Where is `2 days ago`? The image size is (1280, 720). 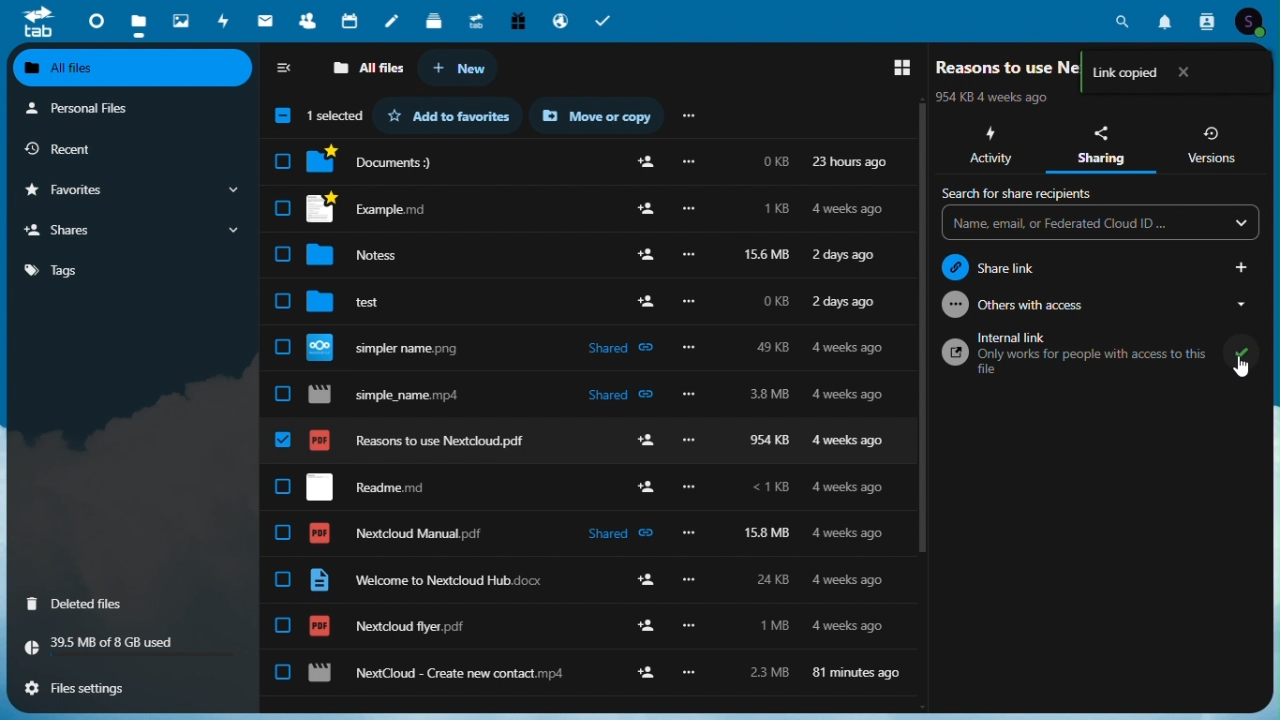 2 days ago is located at coordinates (853, 301).